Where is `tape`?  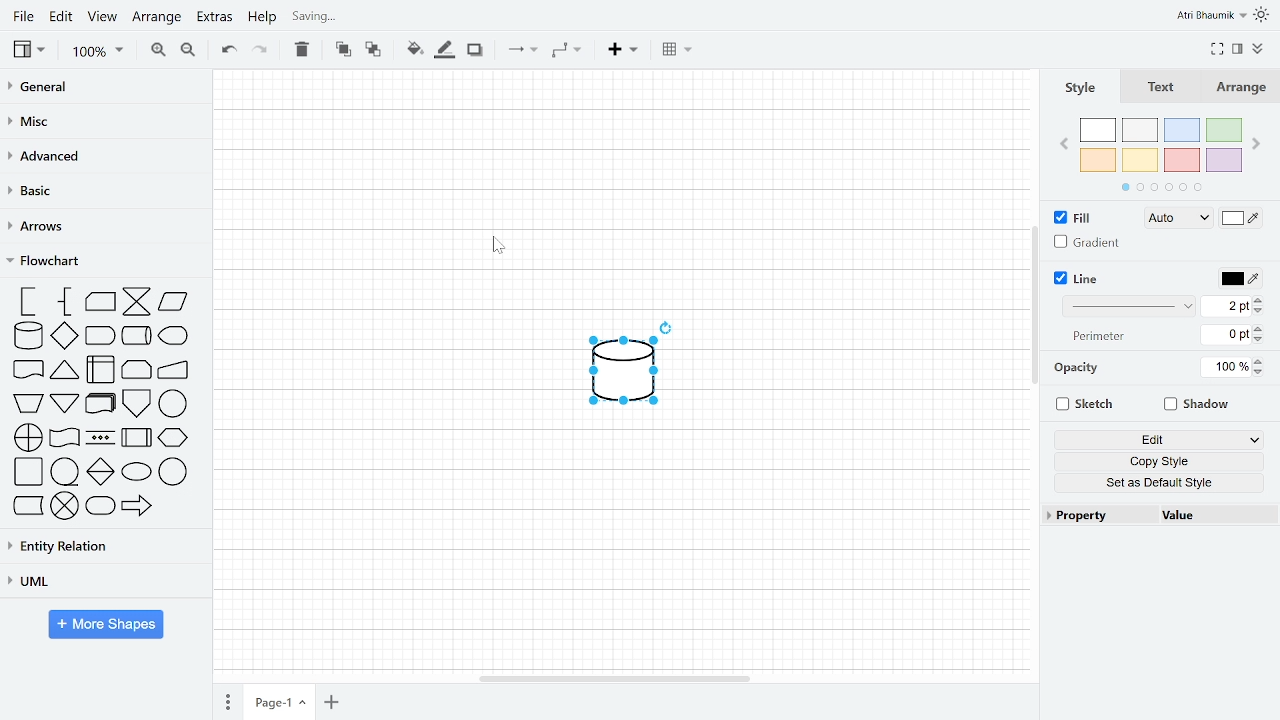 tape is located at coordinates (64, 439).